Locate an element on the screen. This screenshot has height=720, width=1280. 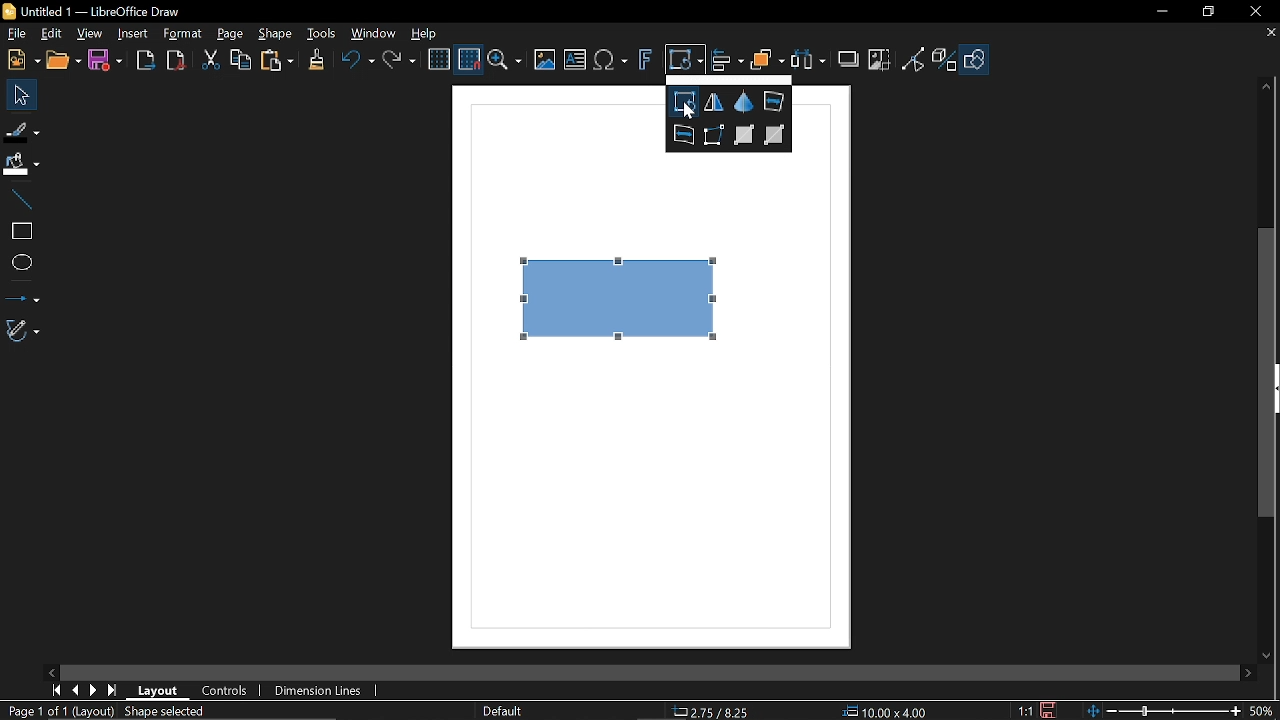
Fill color is located at coordinates (20, 165).